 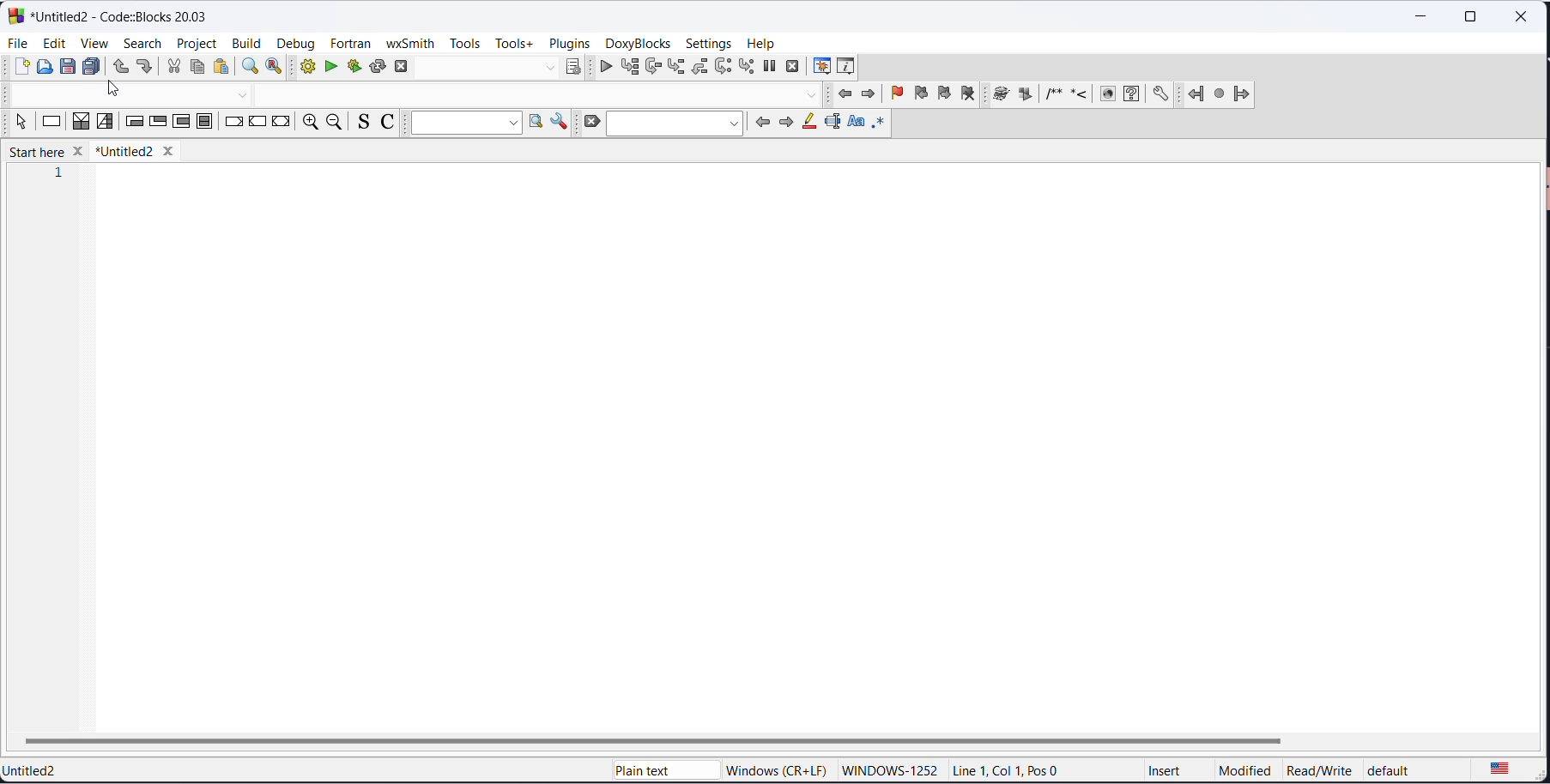 I want to click on preference, so click(x=1162, y=96).